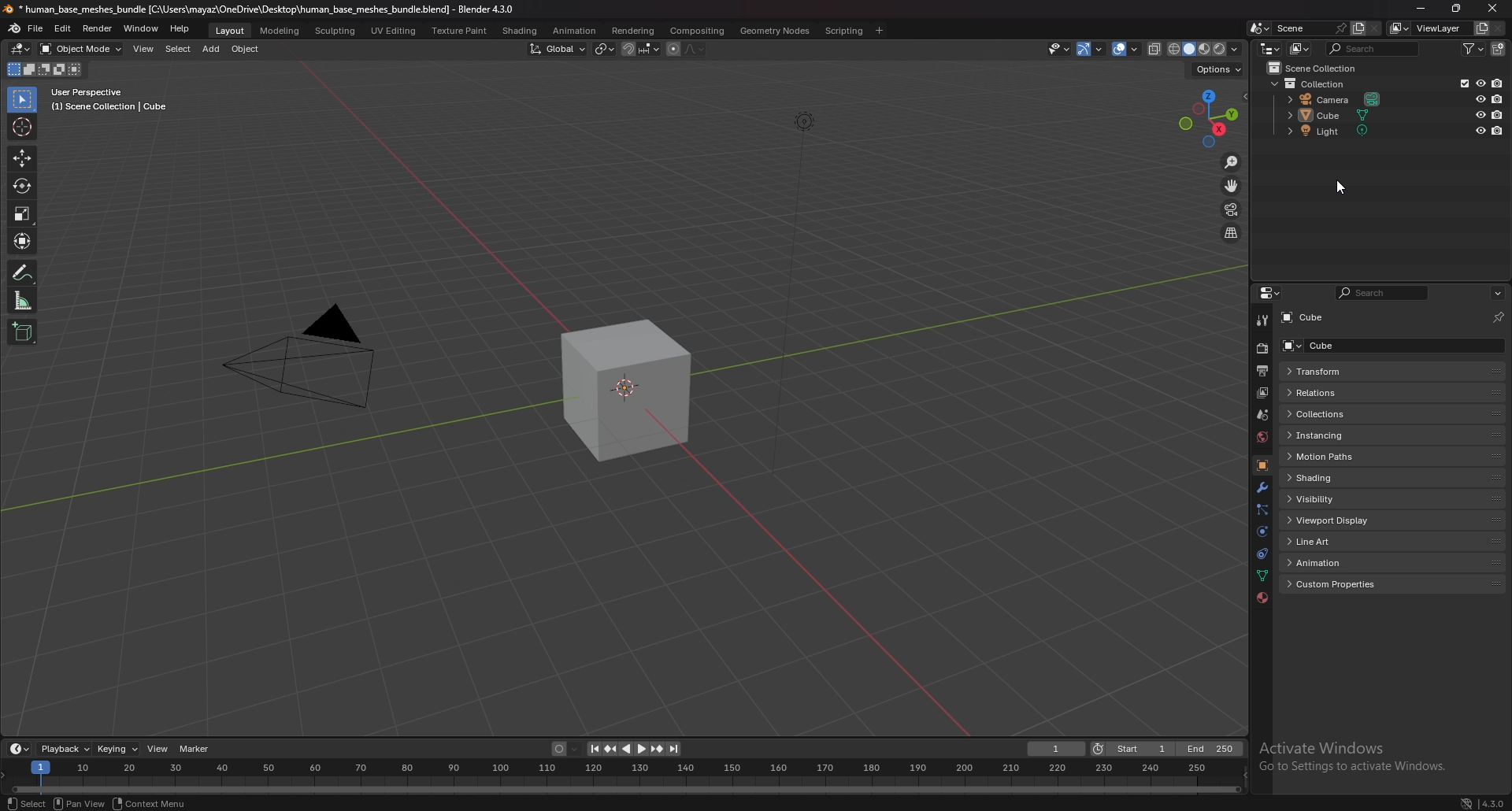 Image resolution: width=1512 pixels, height=811 pixels. Describe the element at coordinates (1474, 49) in the screenshot. I see `filter` at that location.